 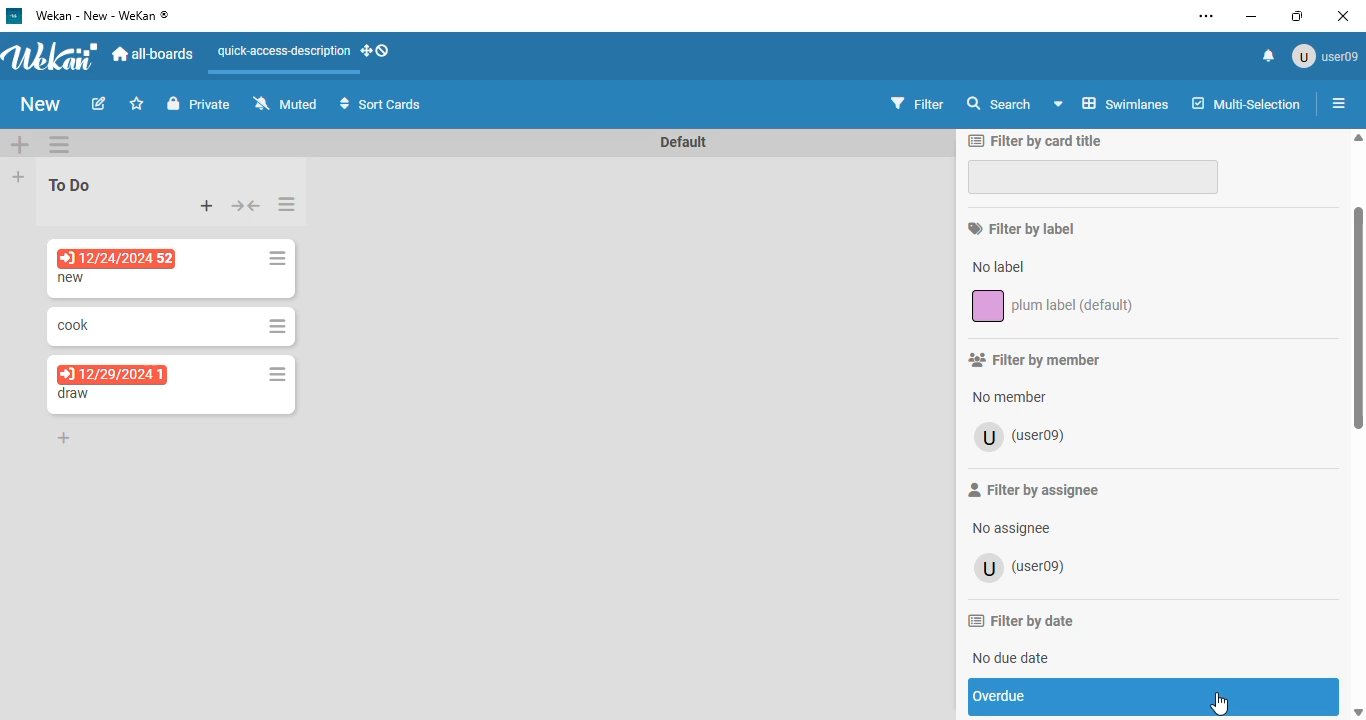 What do you see at coordinates (1024, 437) in the screenshot?
I see `user09` at bounding box center [1024, 437].